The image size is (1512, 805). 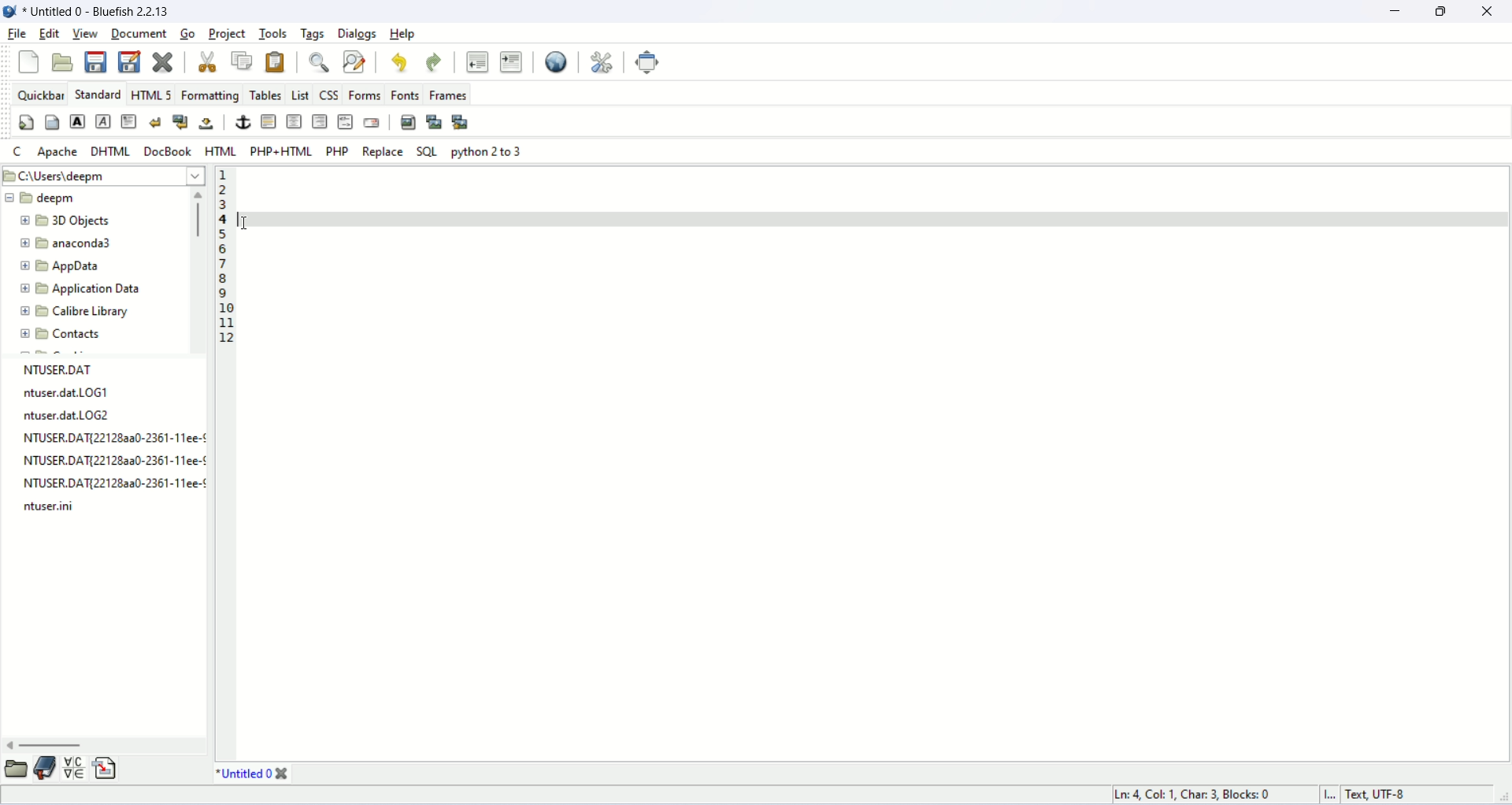 What do you see at coordinates (409, 123) in the screenshot?
I see `insert image` at bounding box center [409, 123].